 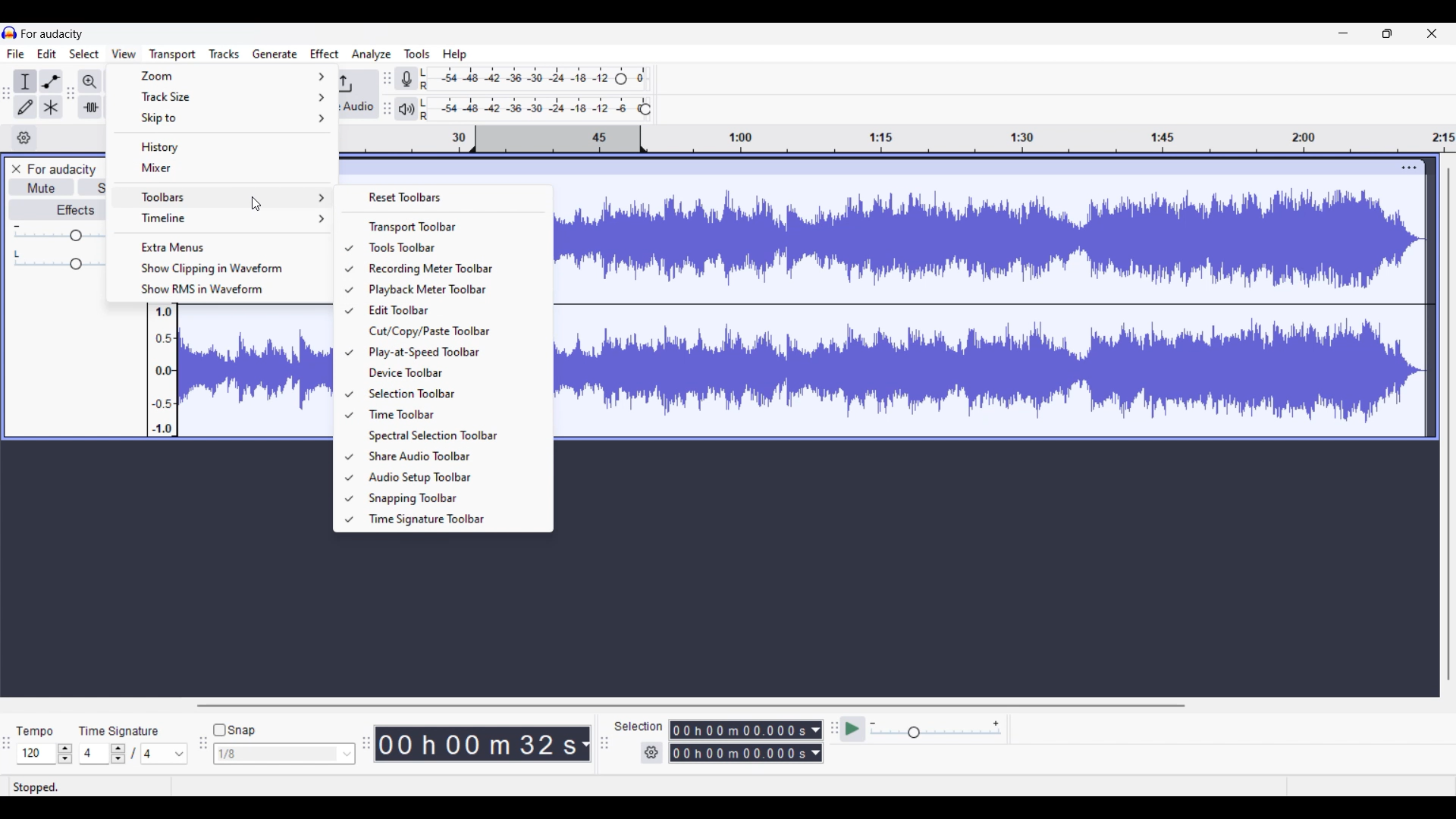 I want to click on Input time signature, so click(x=93, y=752).